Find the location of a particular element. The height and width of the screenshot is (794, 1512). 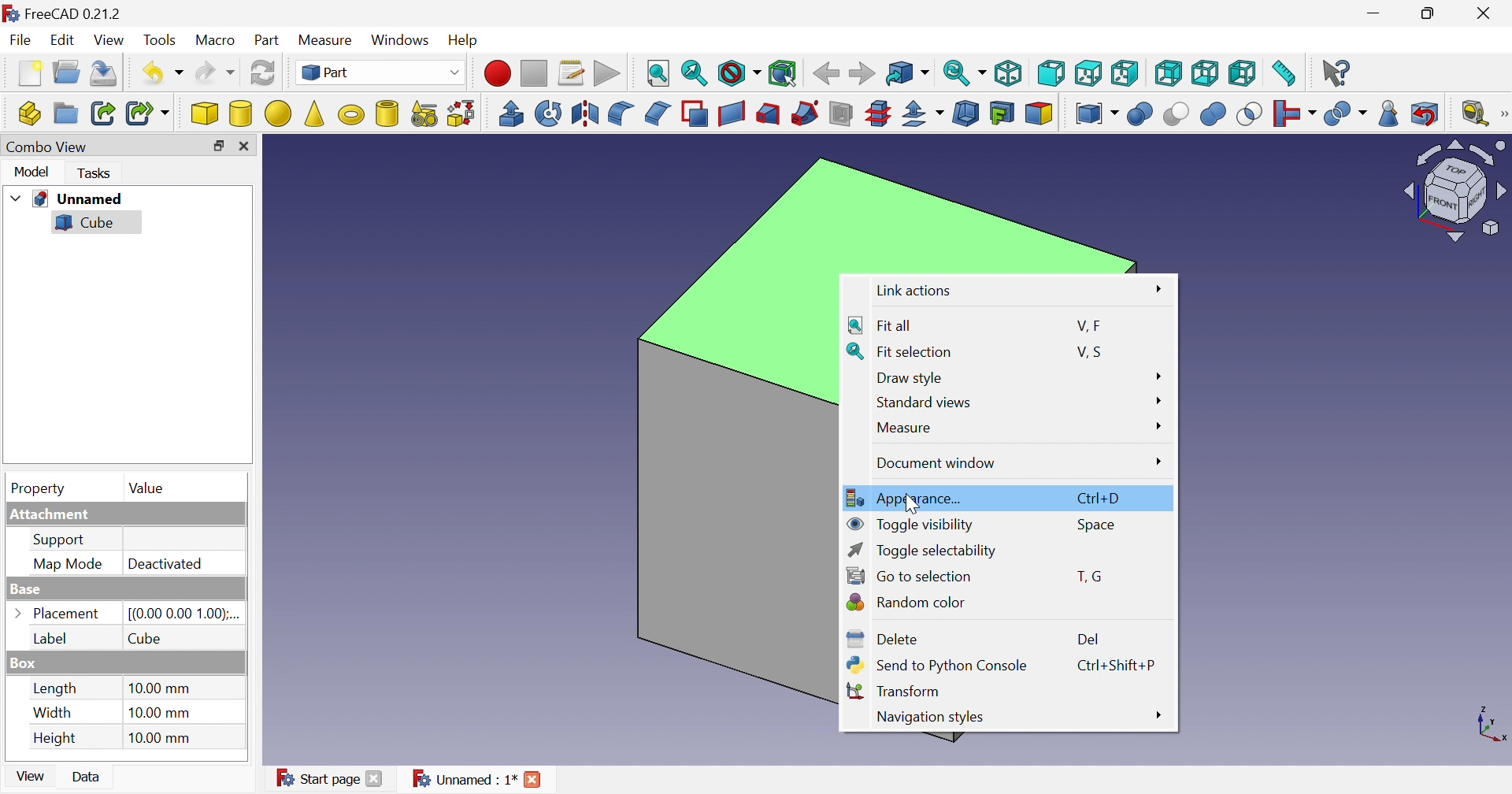

More is located at coordinates (1158, 377).